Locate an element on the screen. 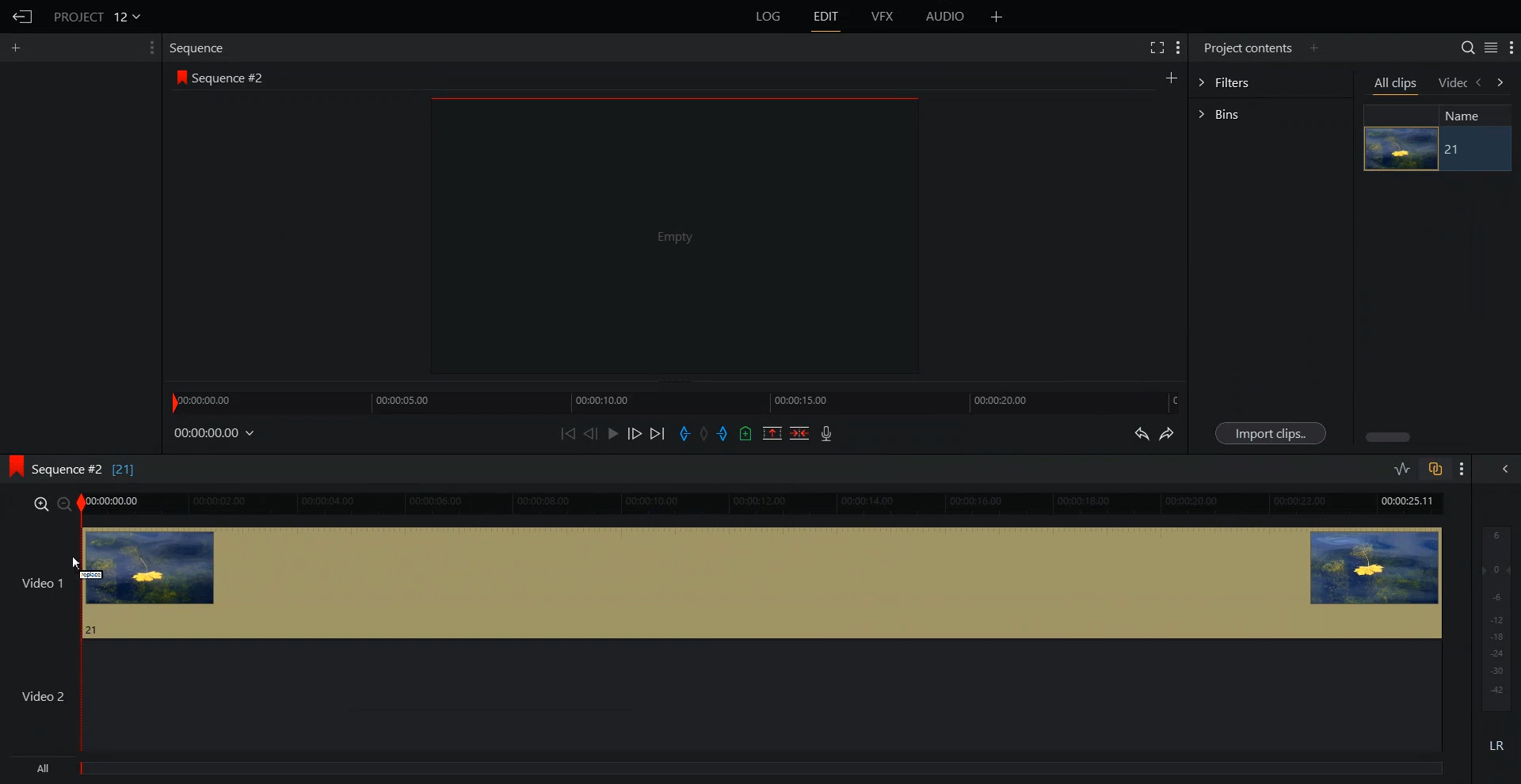 Image resolution: width=1521 pixels, height=784 pixels. All is located at coordinates (731, 771).